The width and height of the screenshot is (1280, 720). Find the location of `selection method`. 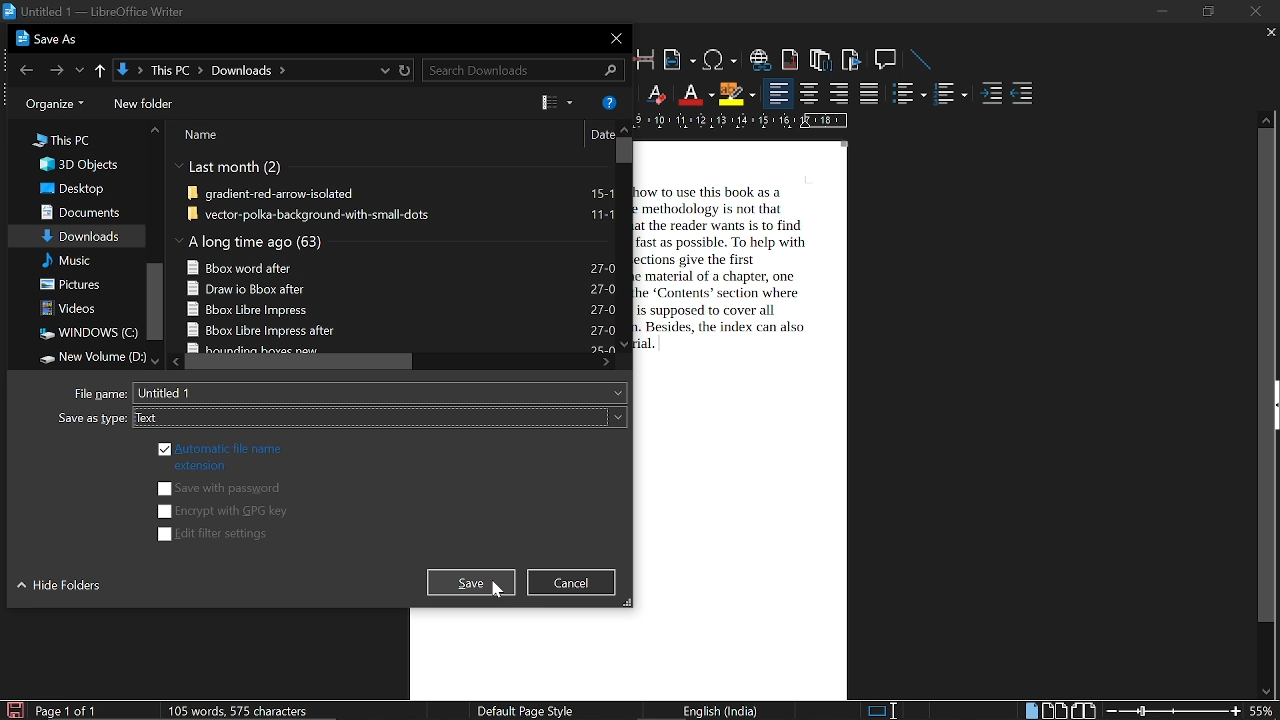

selection method is located at coordinates (881, 711).